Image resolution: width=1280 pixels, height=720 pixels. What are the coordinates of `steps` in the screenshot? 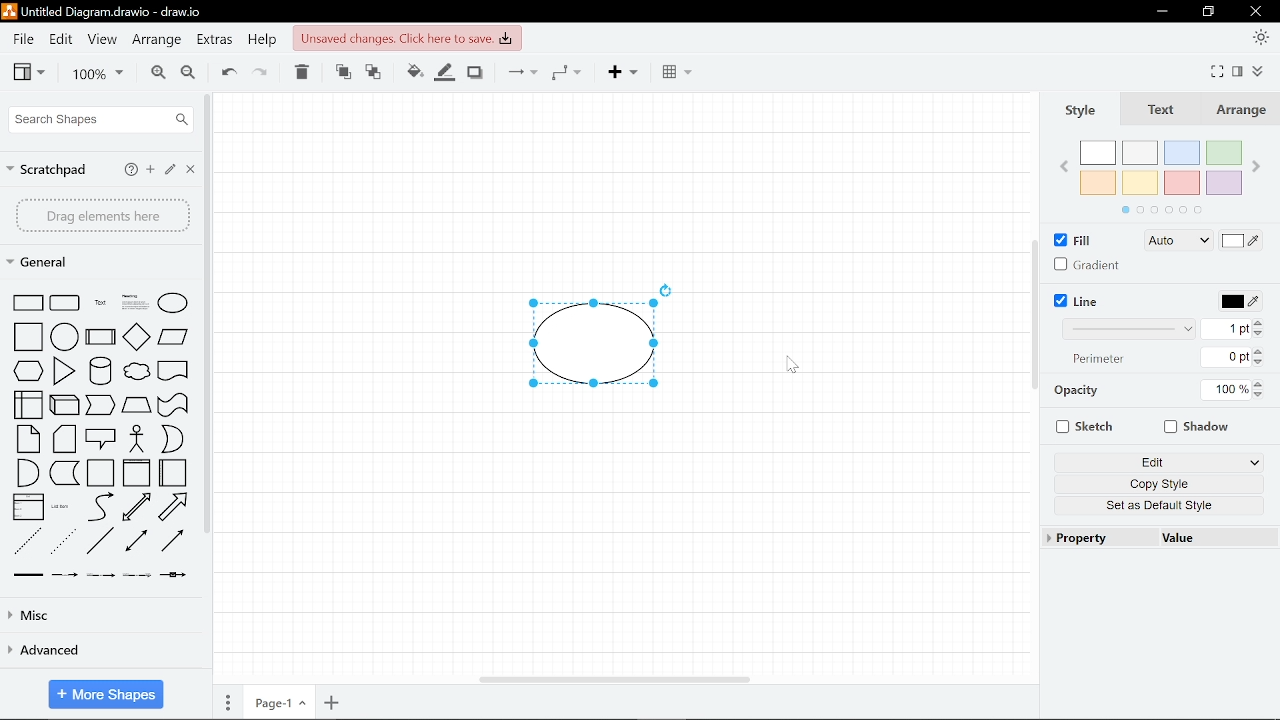 It's located at (102, 406).